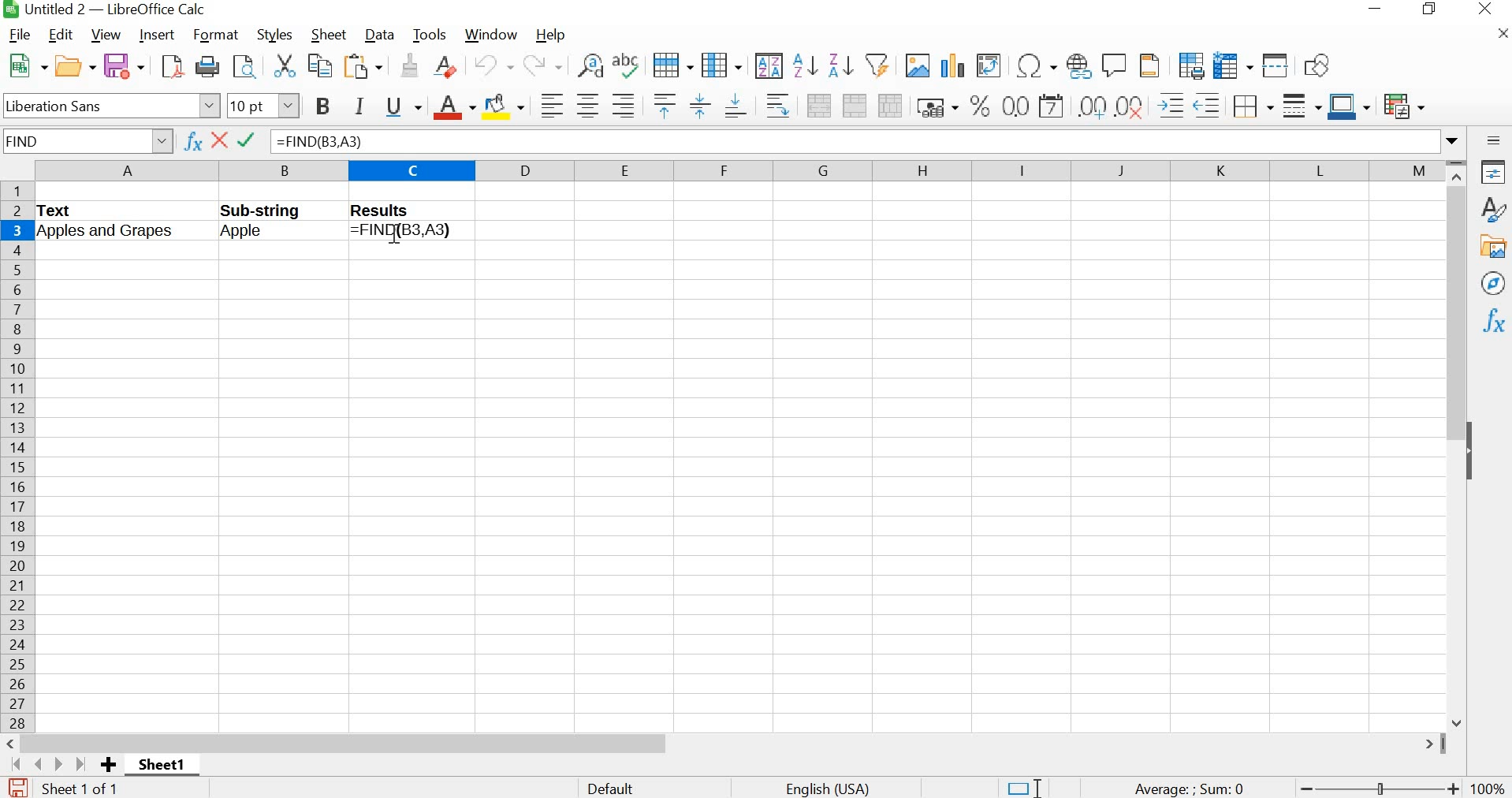  Describe the element at coordinates (50, 764) in the screenshot. I see `move to next sheet buttons` at that location.